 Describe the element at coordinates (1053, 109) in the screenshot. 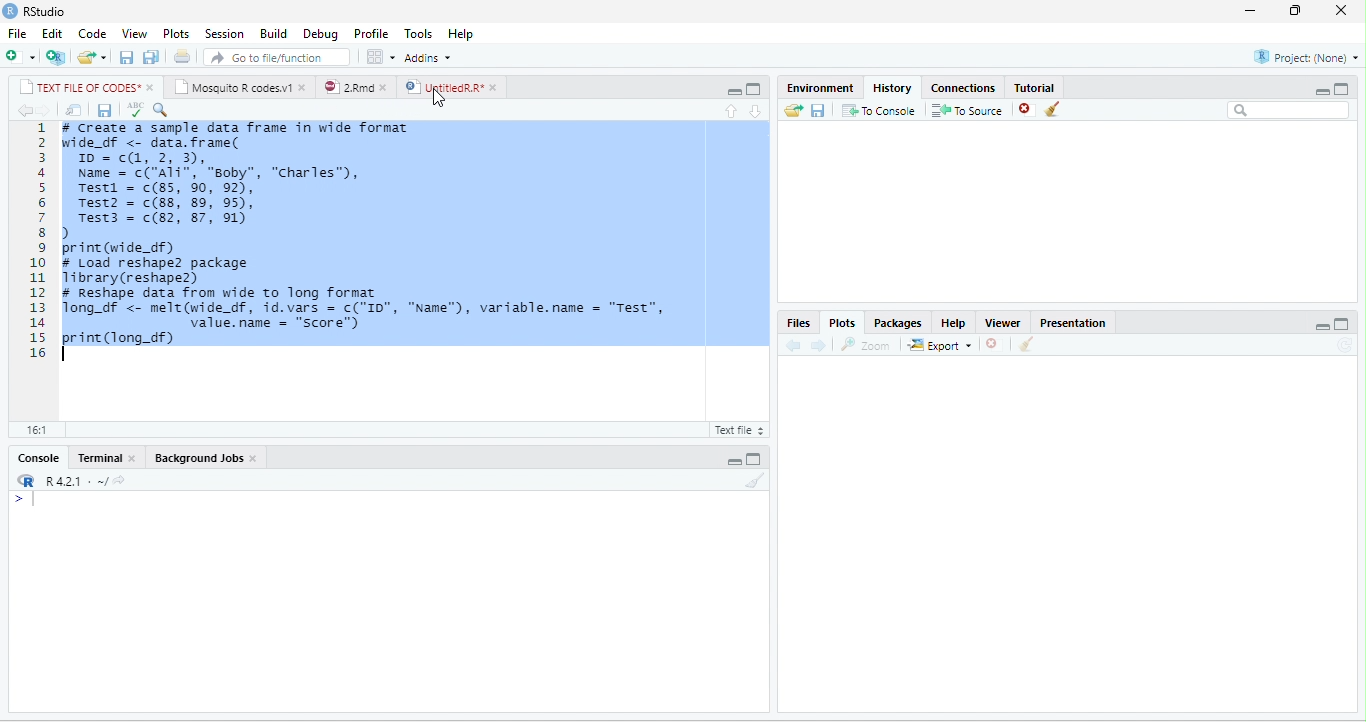

I see `clear` at that location.